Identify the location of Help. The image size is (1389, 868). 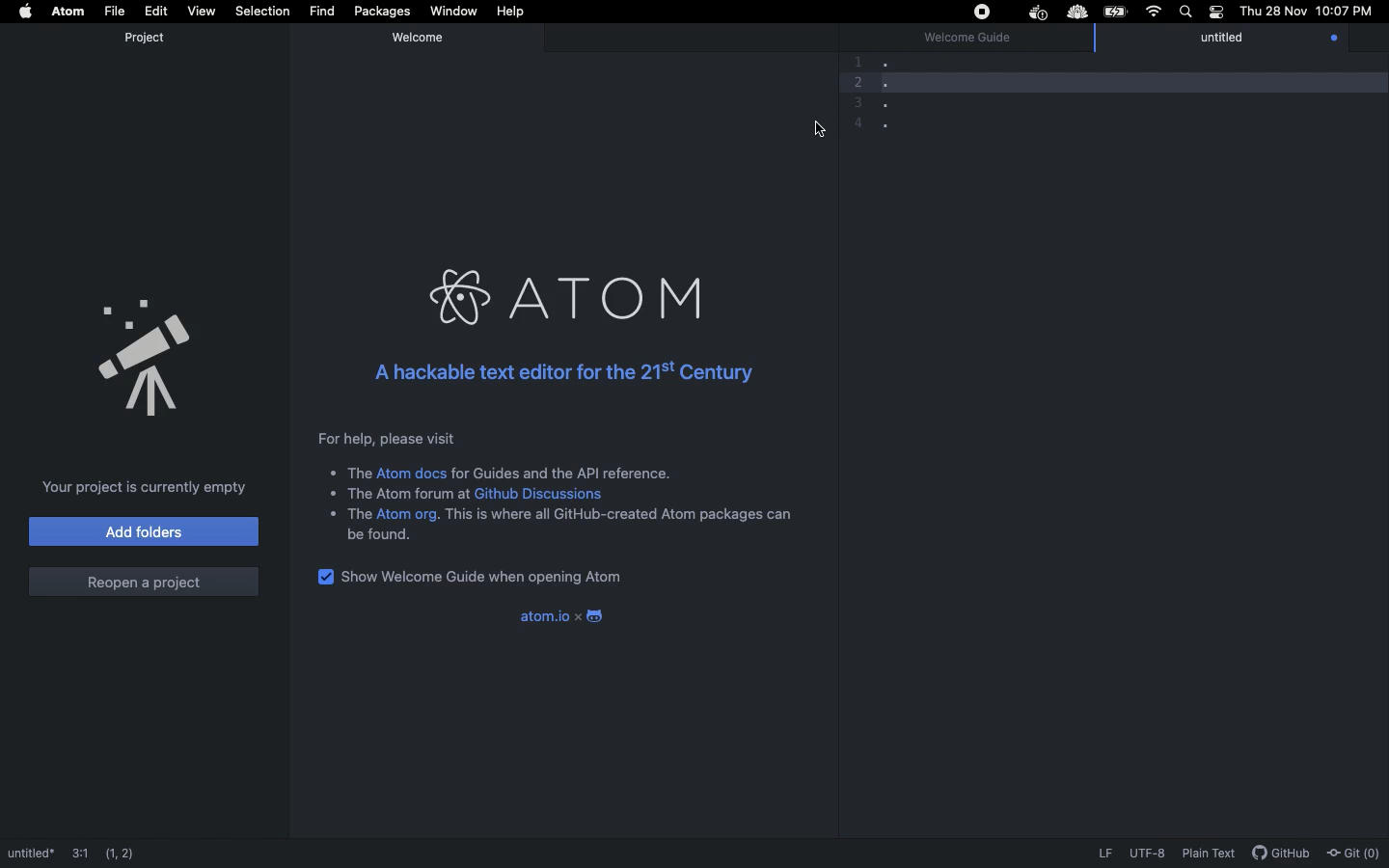
(513, 12).